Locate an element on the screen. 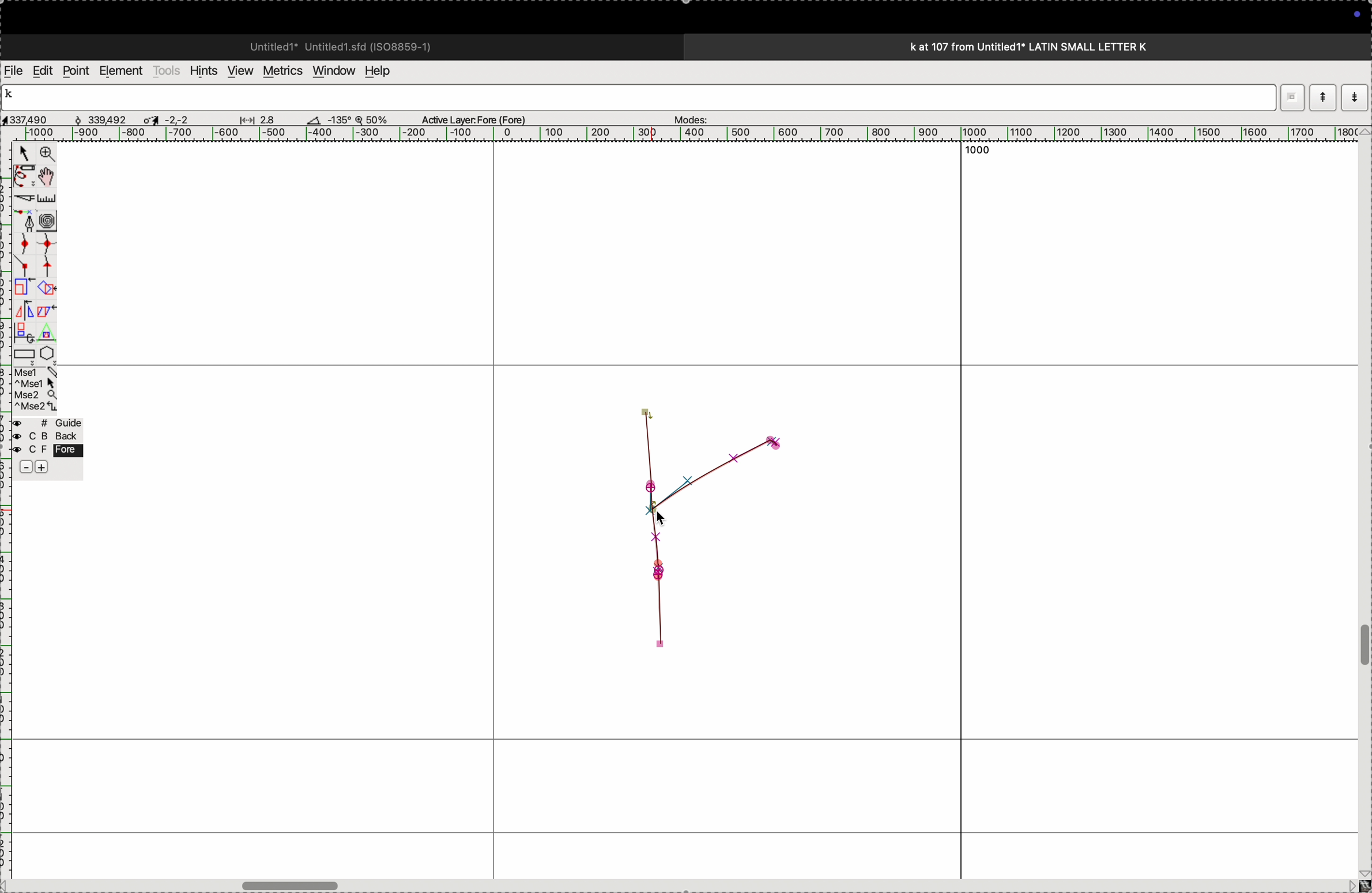 This screenshot has width=1372, height=893. co ordinates is located at coordinates (40, 116).